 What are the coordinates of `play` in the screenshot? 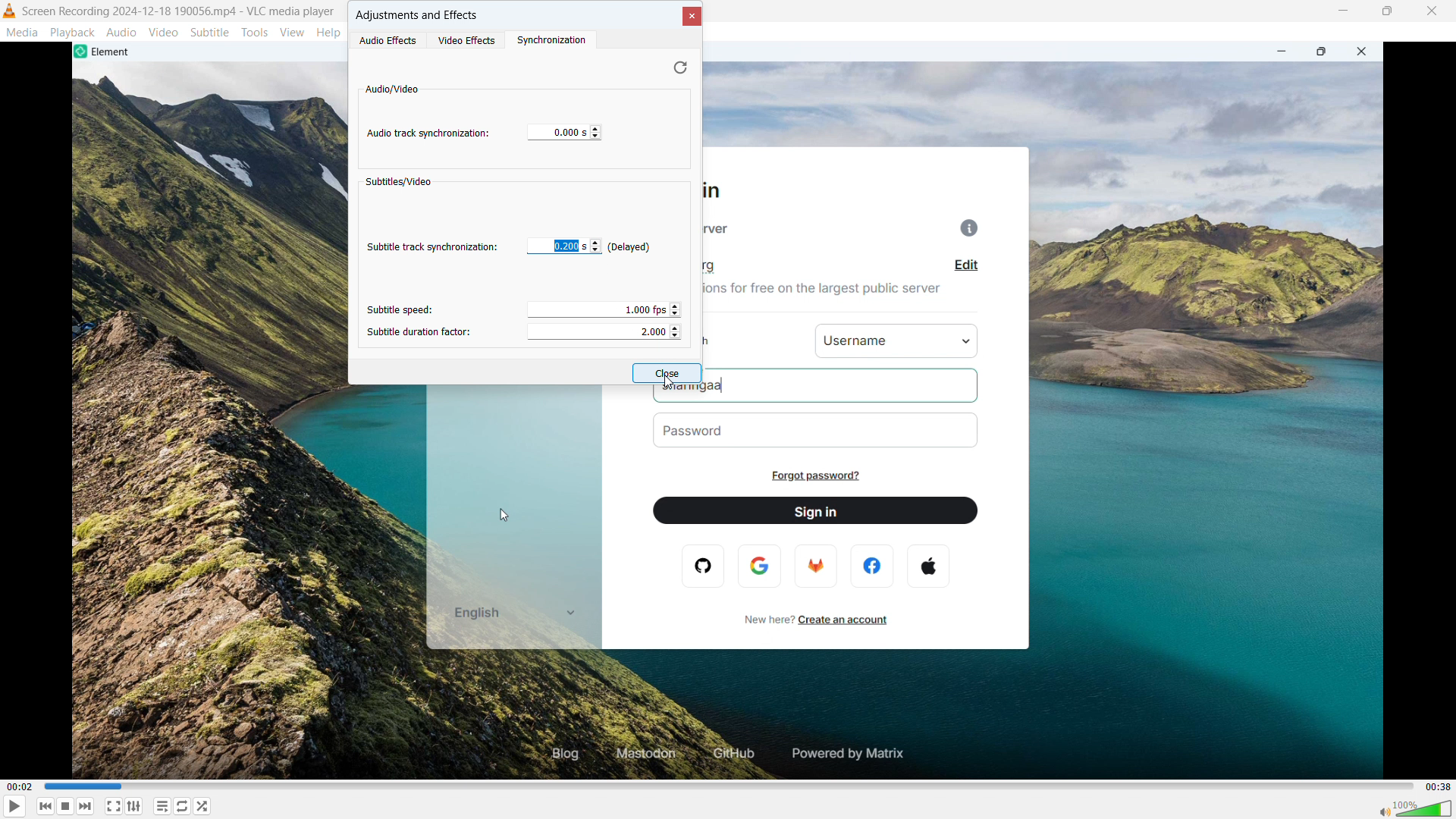 It's located at (16, 807).